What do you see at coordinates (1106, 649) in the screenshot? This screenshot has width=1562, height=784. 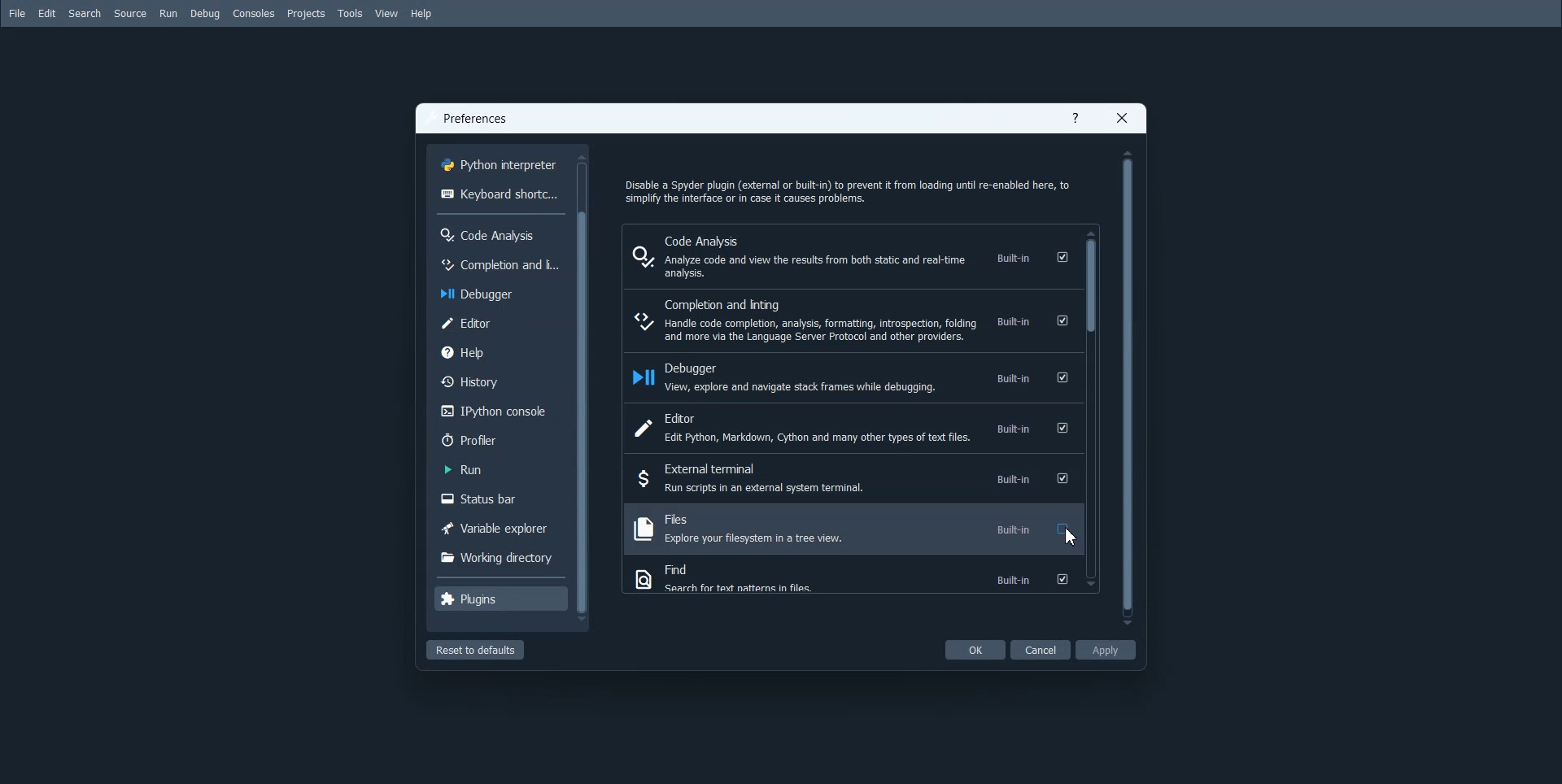 I see `Apply` at bounding box center [1106, 649].